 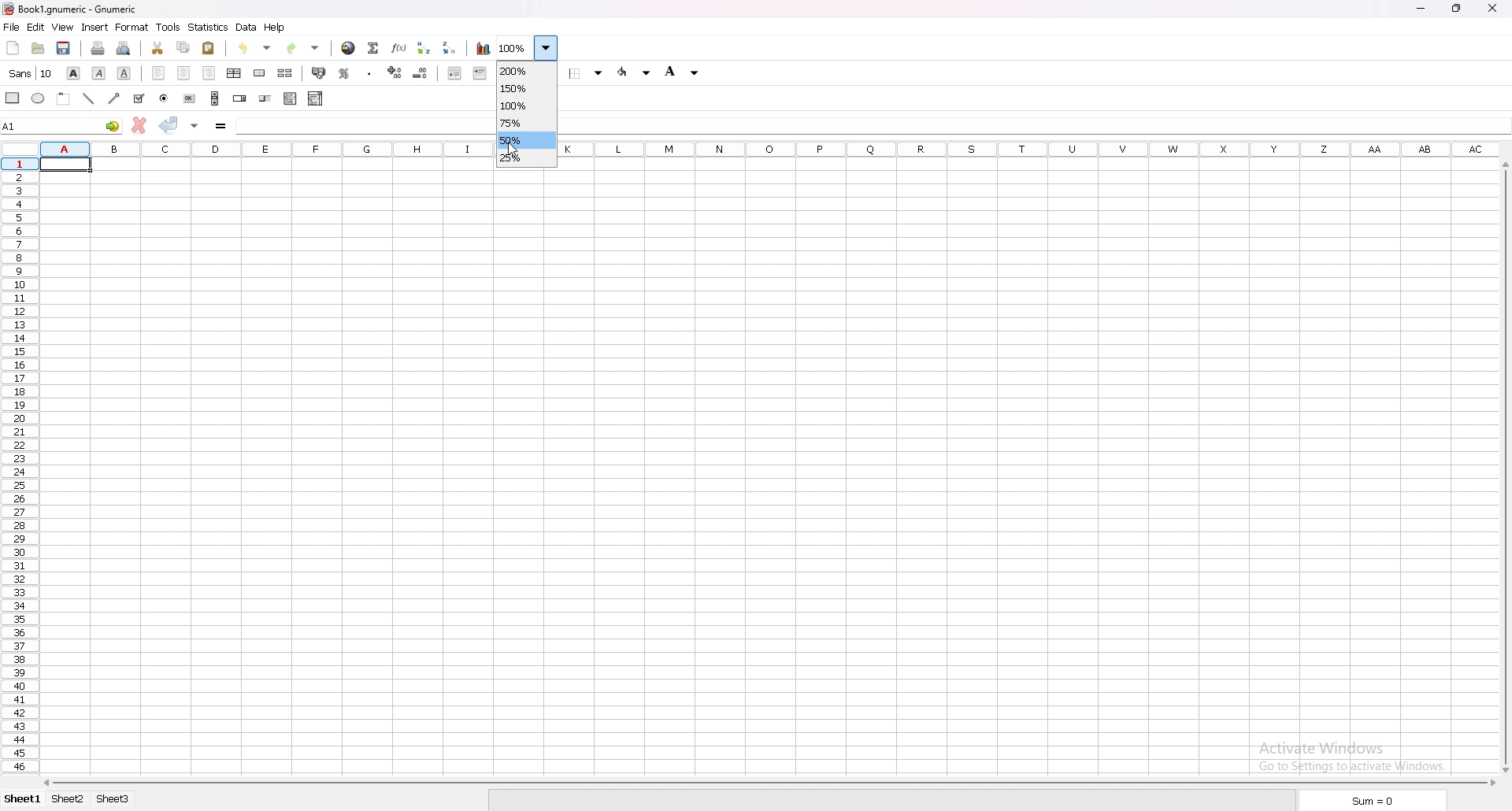 What do you see at coordinates (513, 150) in the screenshot?
I see `Cursor` at bounding box center [513, 150].